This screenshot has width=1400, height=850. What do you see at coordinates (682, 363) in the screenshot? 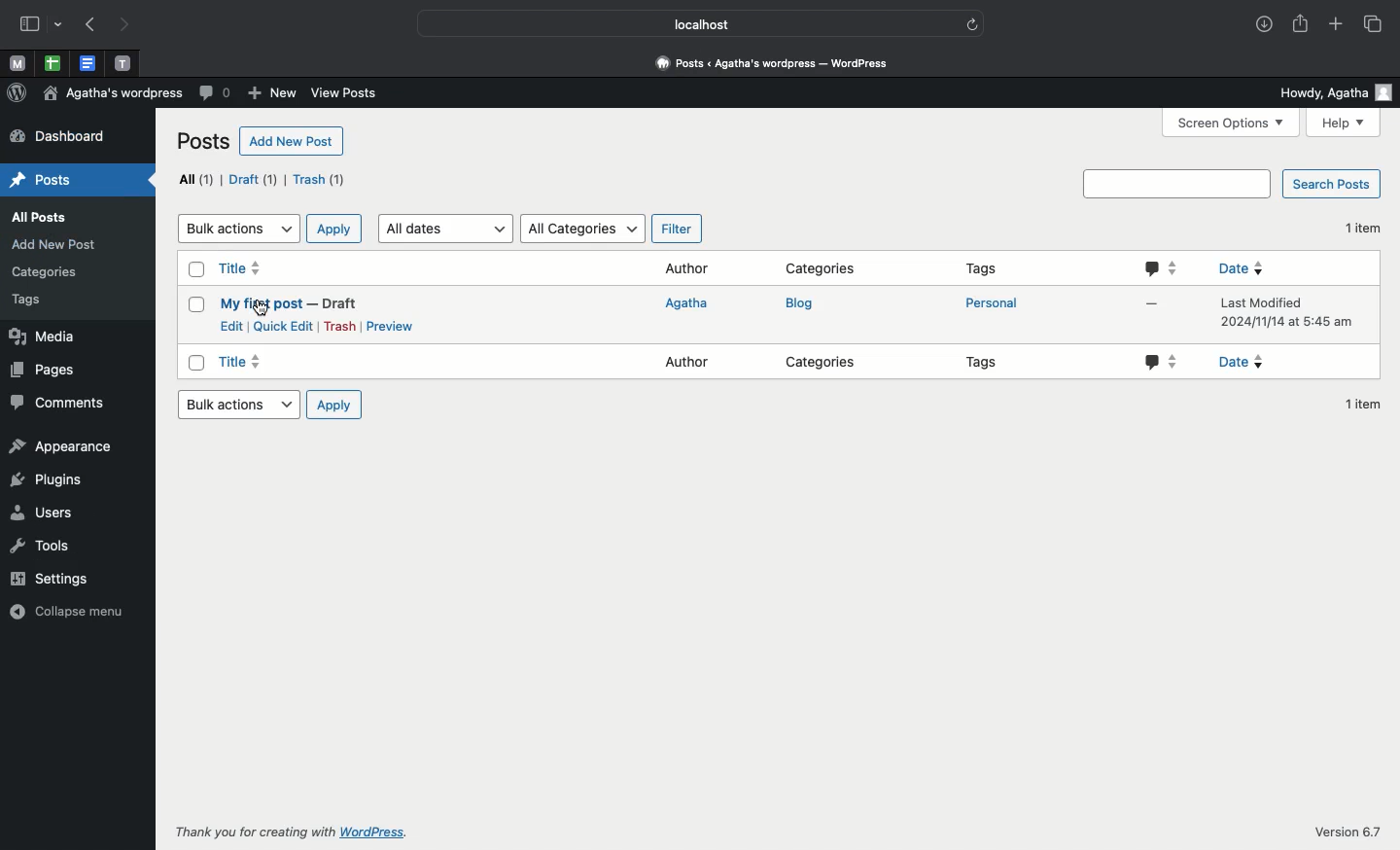
I see `author` at bounding box center [682, 363].